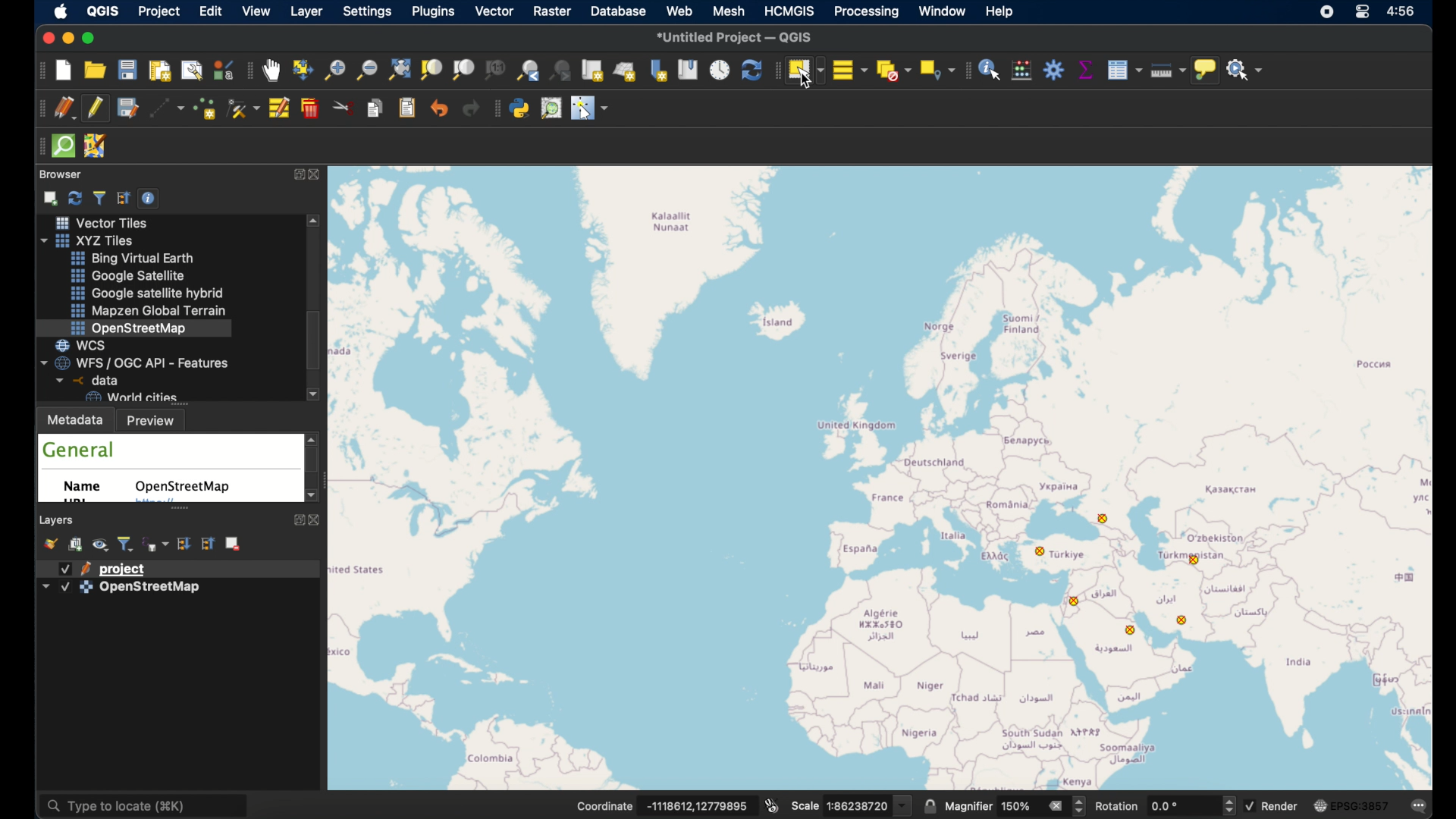 The width and height of the screenshot is (1456, 819). Describe the element at coordinates (313, 463) in the screenshot. I see `scroll box` at that location.